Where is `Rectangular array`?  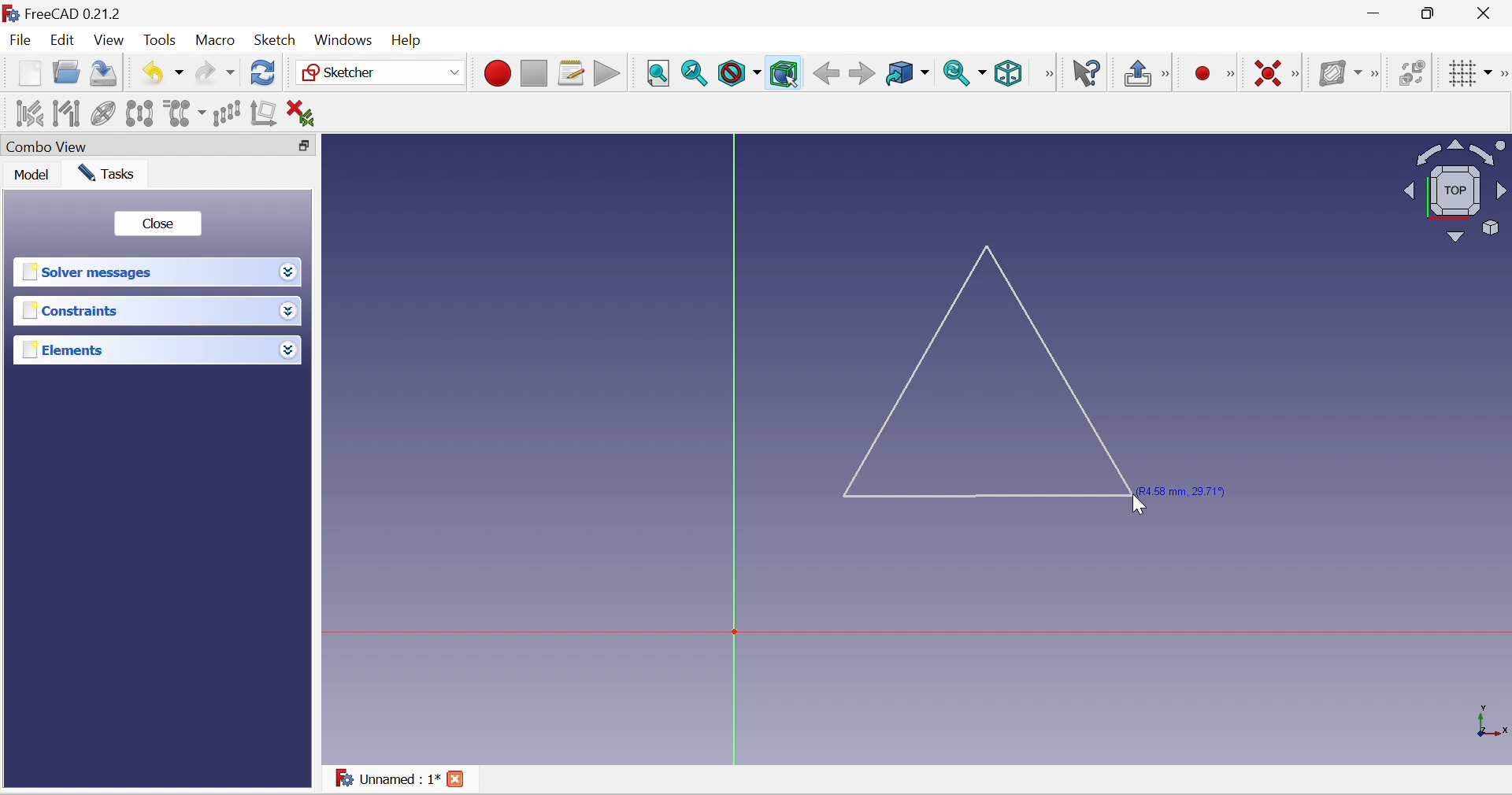
Rectangular array is located at coordinates (228, 113).